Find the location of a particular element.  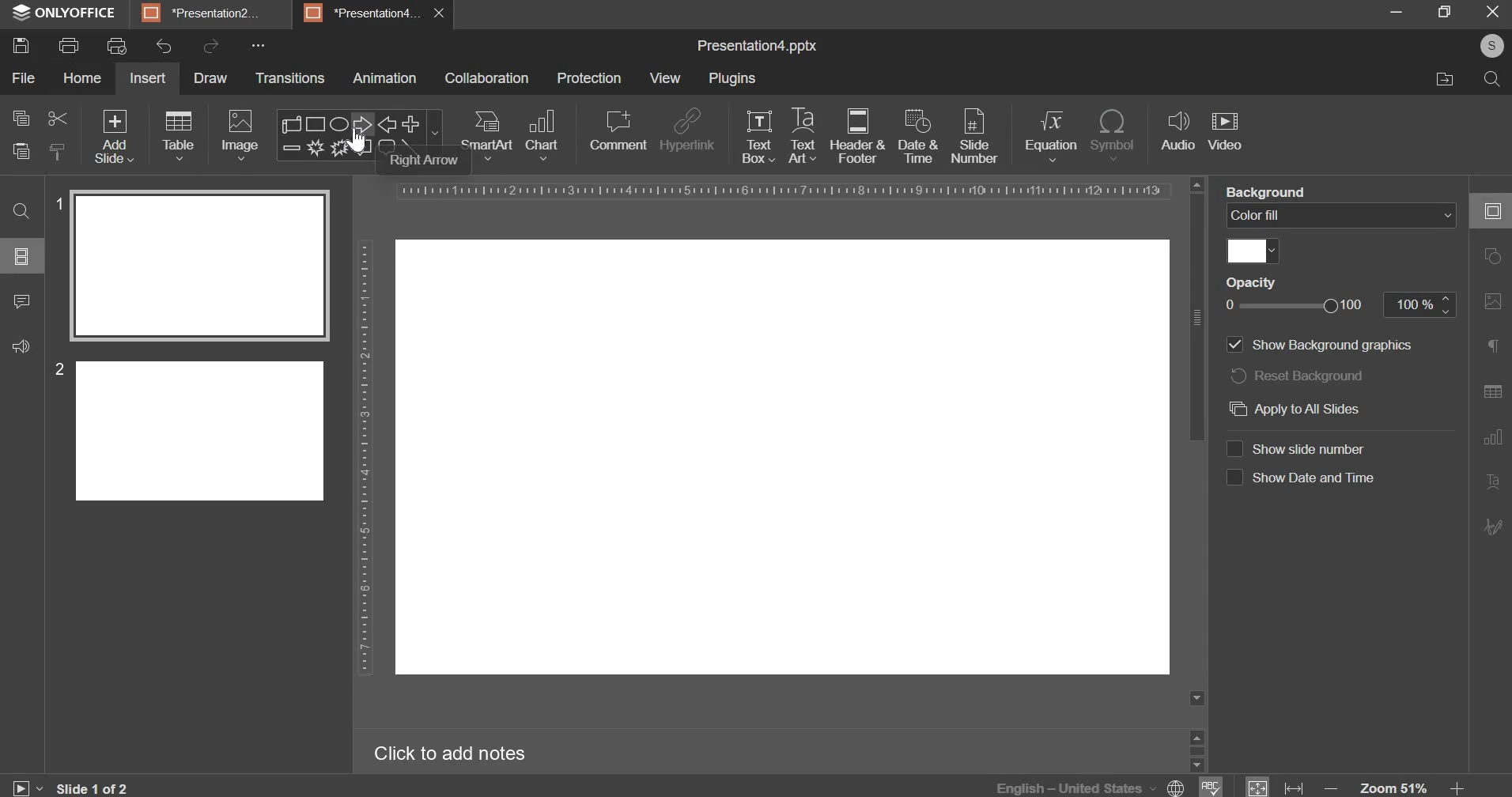

[>] Slide is located at coordinates (13, 786).